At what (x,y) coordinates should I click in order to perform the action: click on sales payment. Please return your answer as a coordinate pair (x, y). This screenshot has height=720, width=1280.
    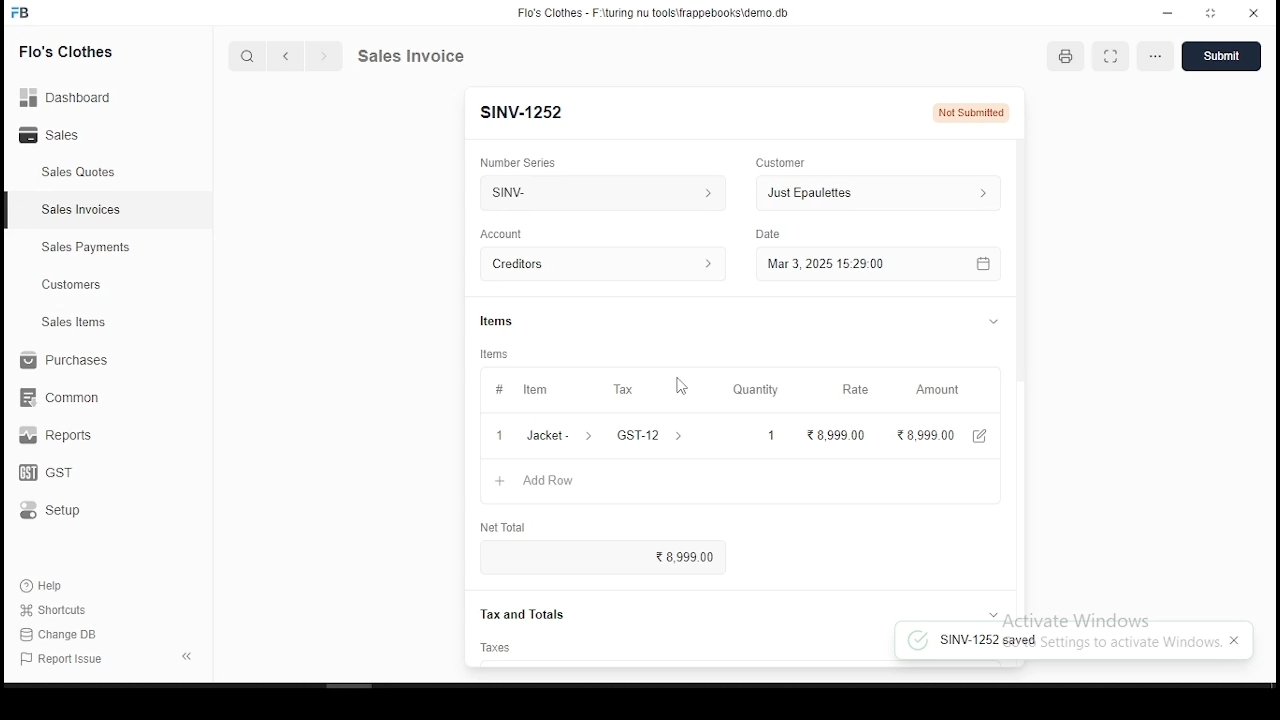
    Looking at the image, I should click on (81, 247).